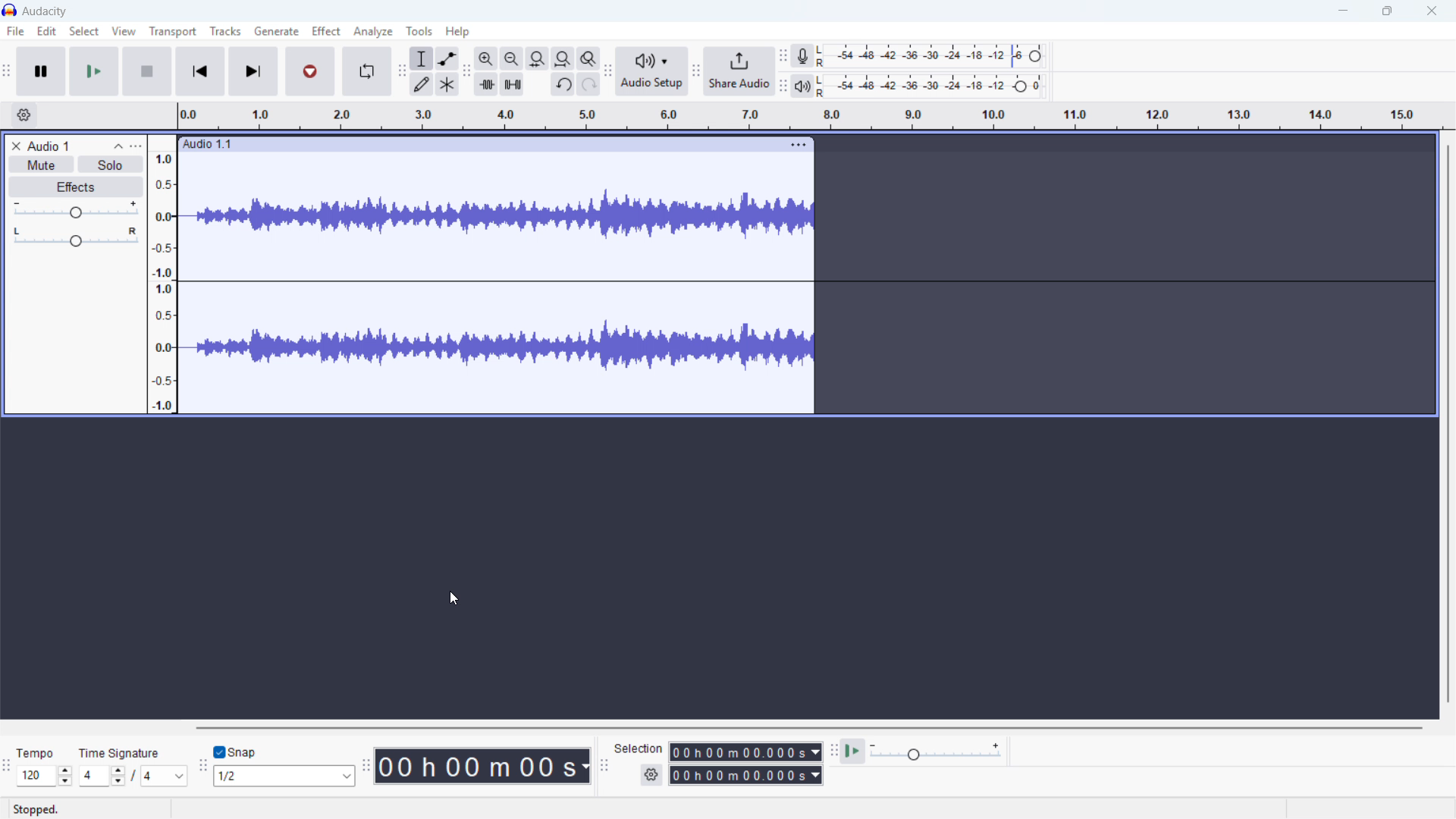  I want to click on Recording level , so click(936, 55).